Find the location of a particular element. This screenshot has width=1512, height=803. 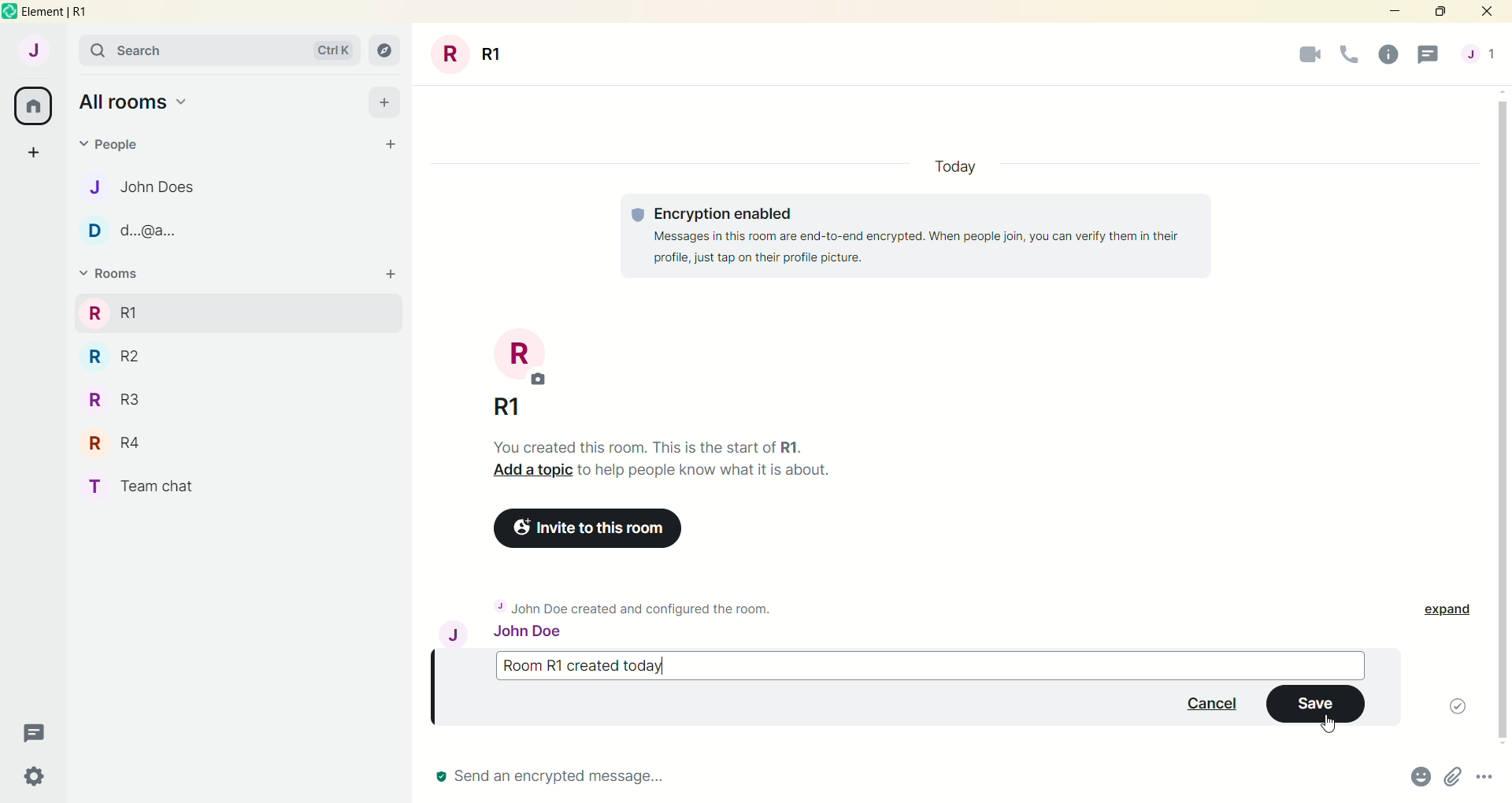

all rooms is located at coordinates (143, 102).